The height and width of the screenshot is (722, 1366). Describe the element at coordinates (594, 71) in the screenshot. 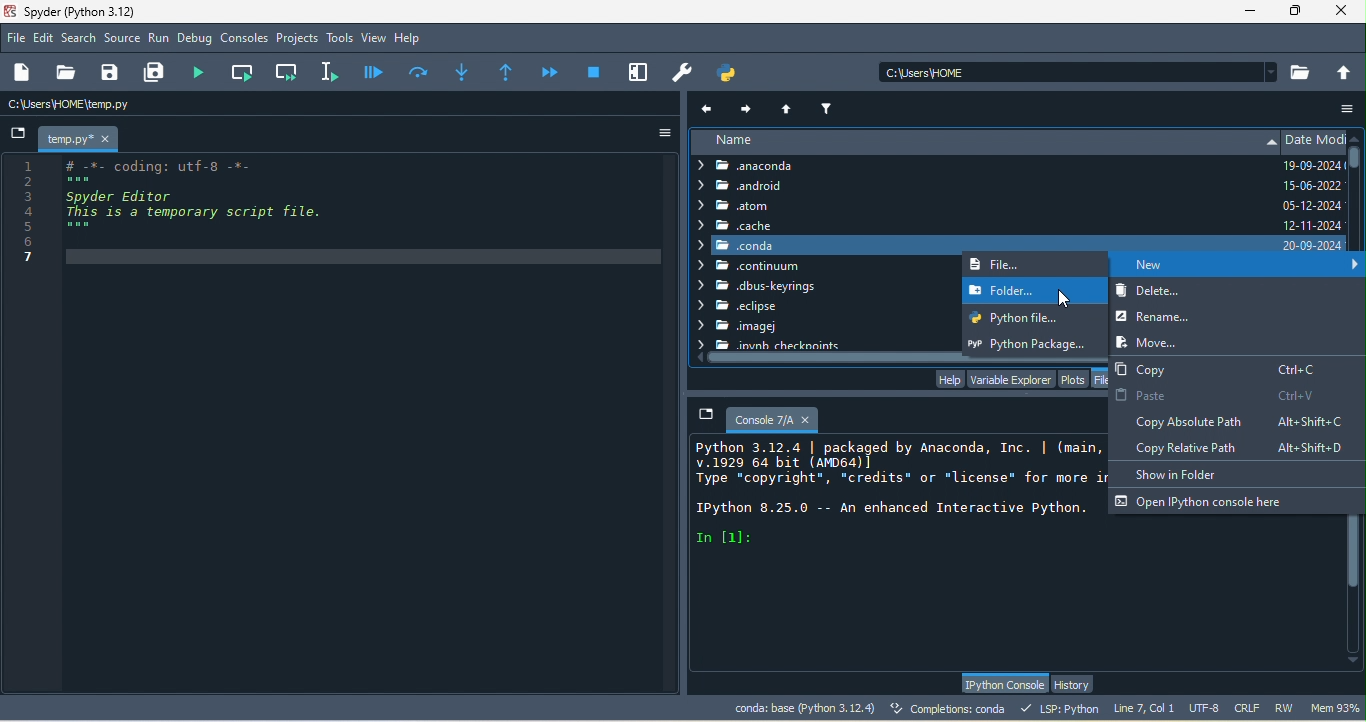

I see `stop debugging` at that location.